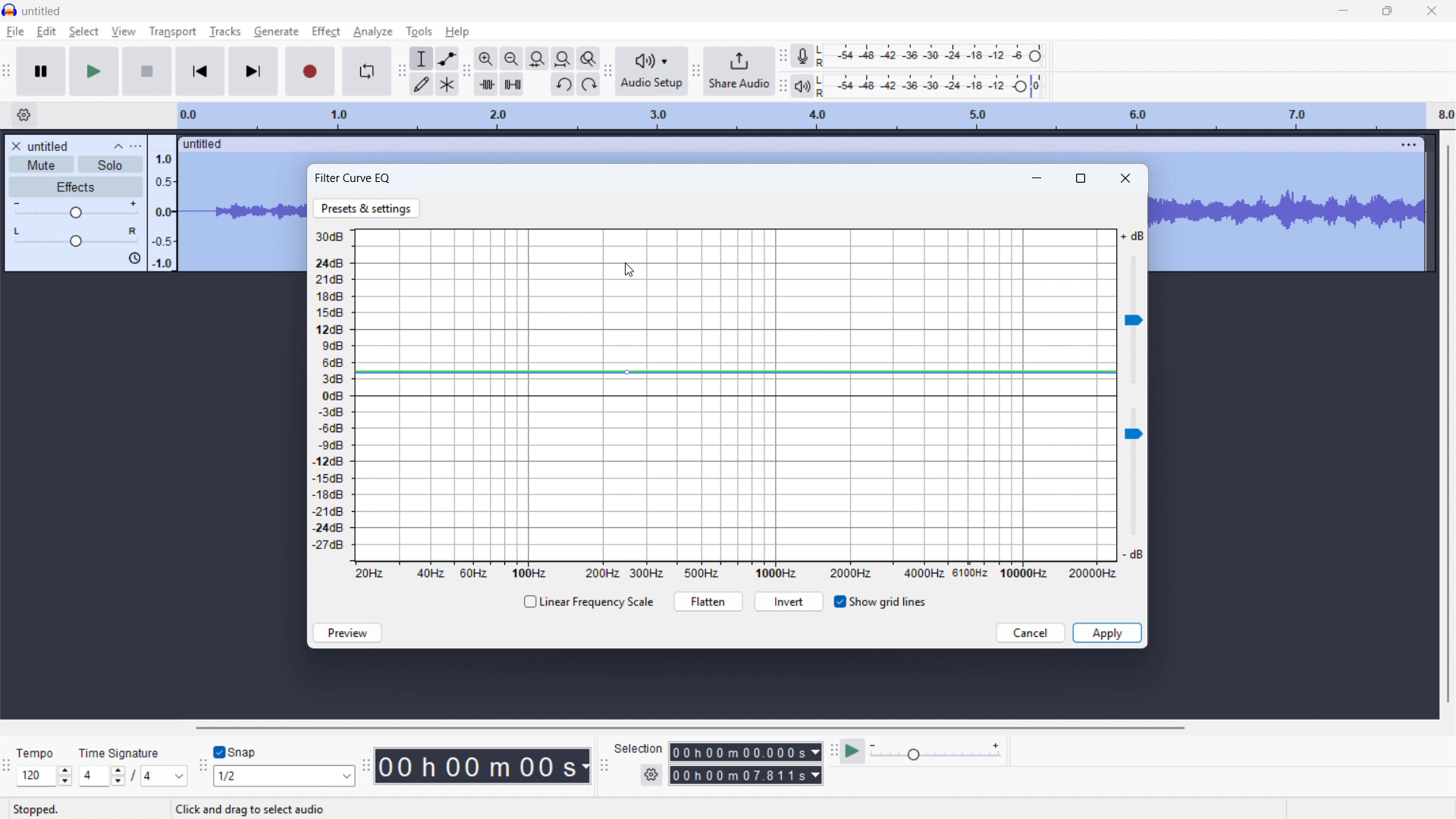  Describe the element at coordinates (1134, 320) in the screenshot. I see `Slider to change amplitude ` at that location.